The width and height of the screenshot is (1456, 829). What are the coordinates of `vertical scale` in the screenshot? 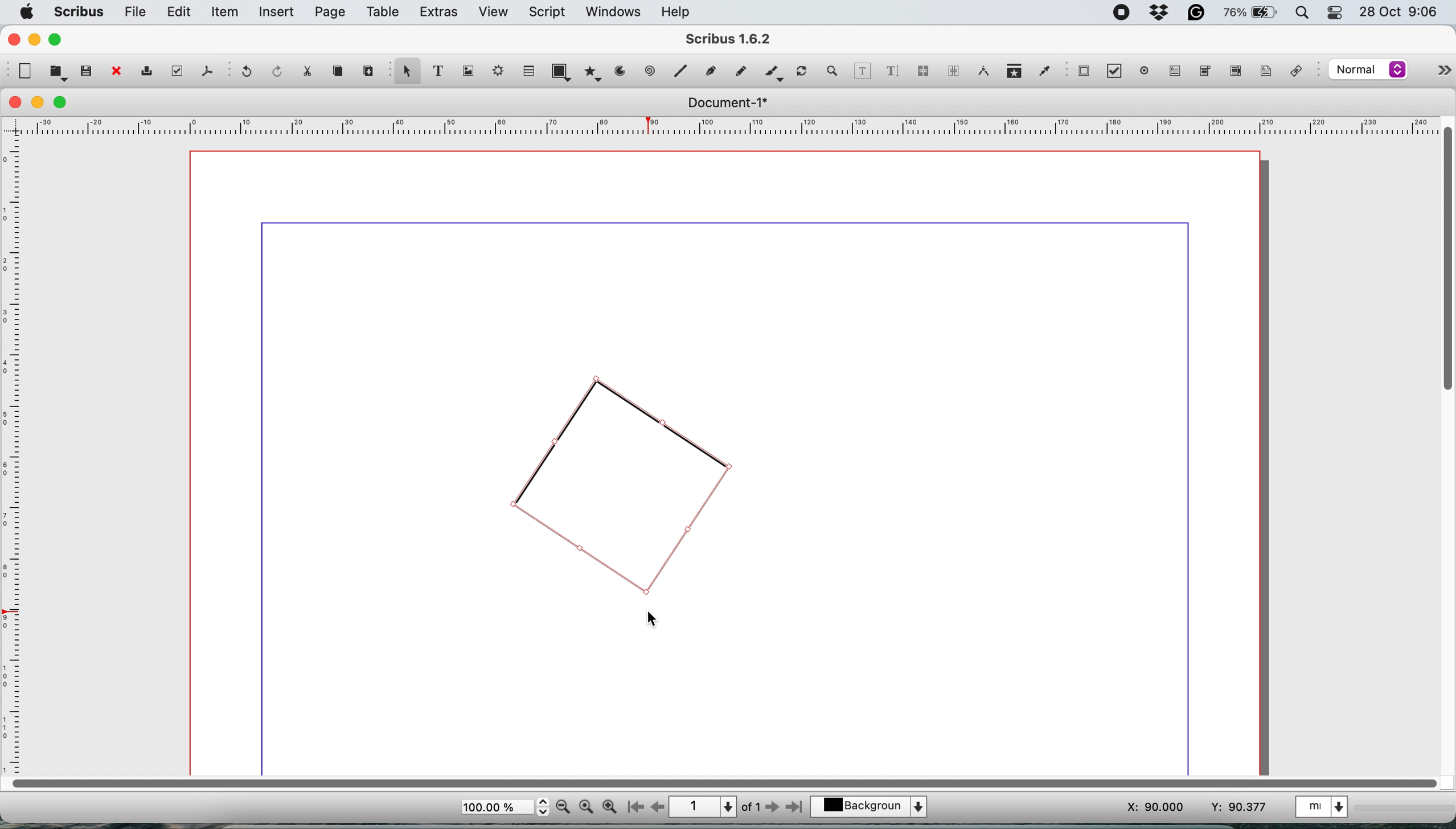 It's located at (15, 453).